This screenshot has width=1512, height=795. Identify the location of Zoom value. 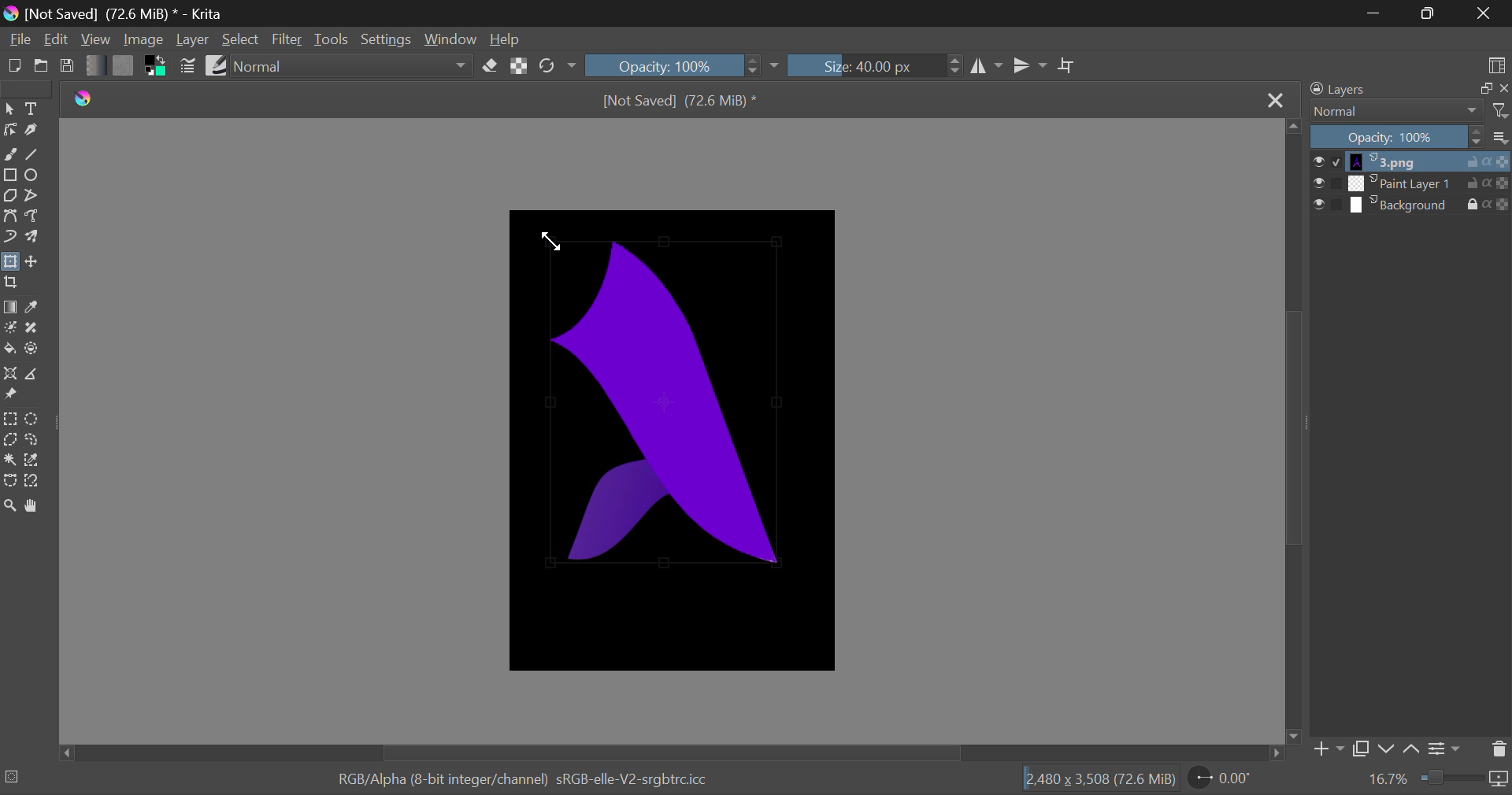
(1388, 778).